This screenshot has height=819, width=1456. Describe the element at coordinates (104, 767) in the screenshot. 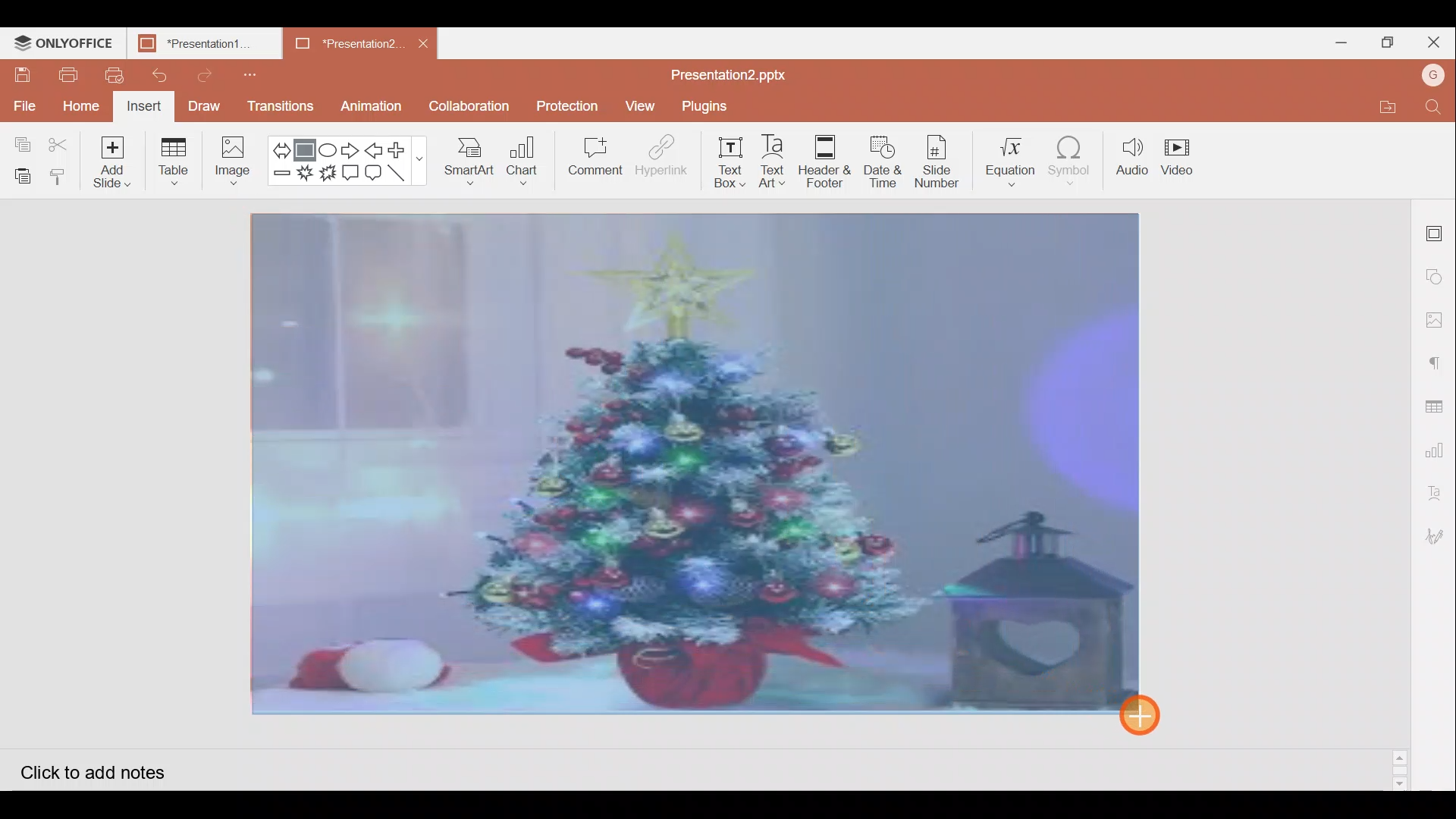

I see `Click to add notes` at that location.